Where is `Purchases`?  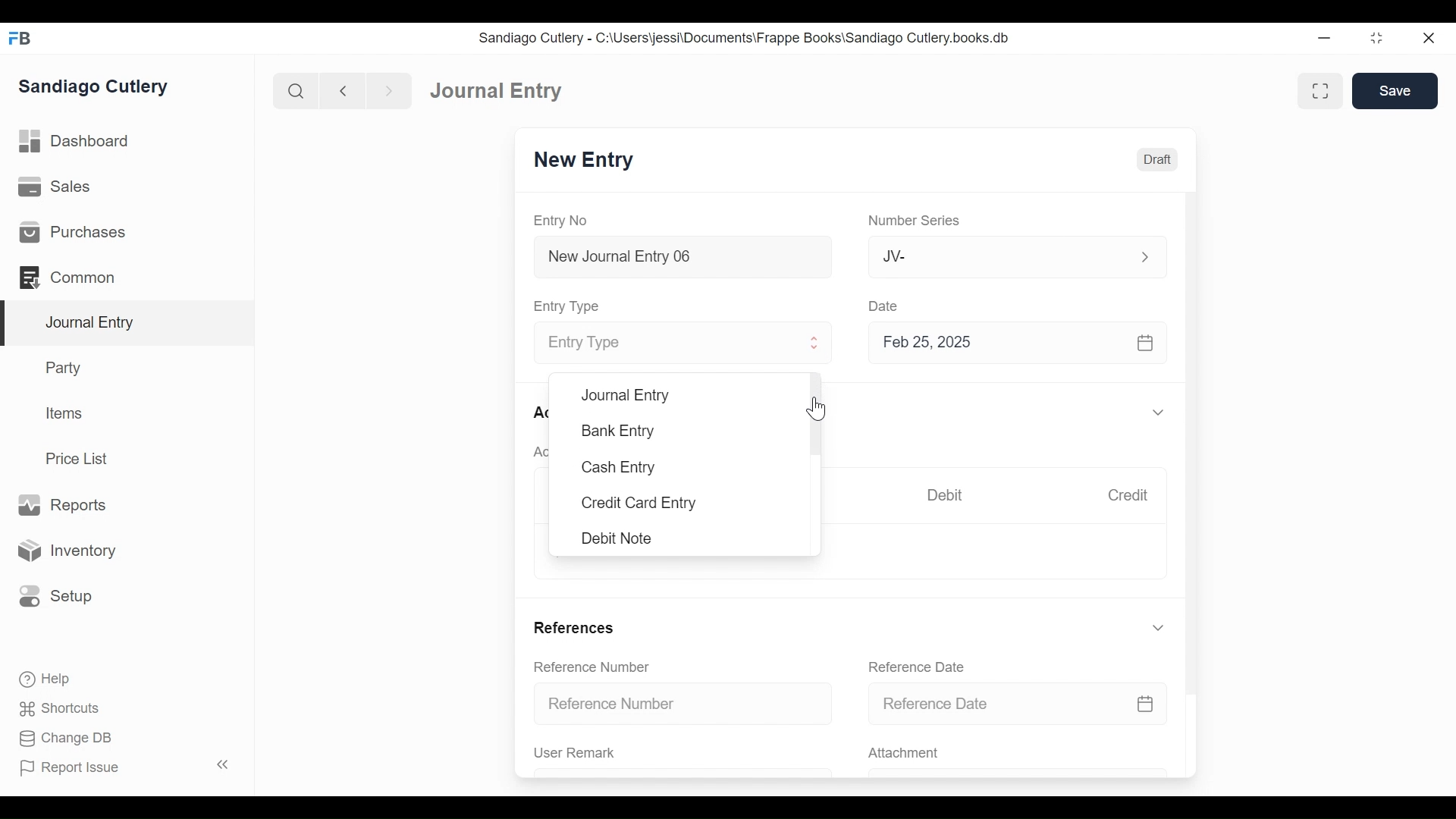 Purchases is located at coordinates (71, 232).